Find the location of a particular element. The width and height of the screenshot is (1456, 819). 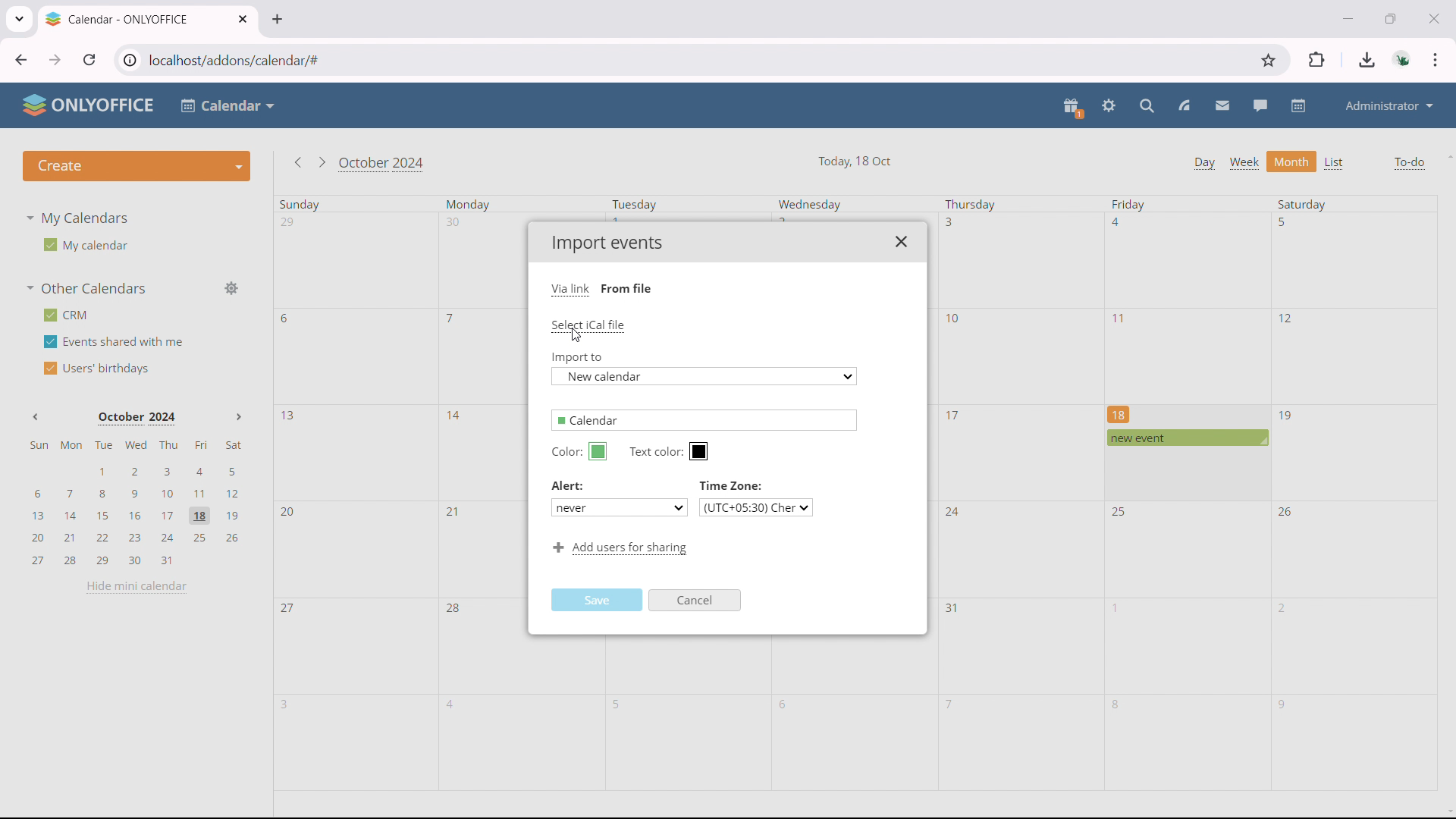

19 is located at coordinates (1287, 416).